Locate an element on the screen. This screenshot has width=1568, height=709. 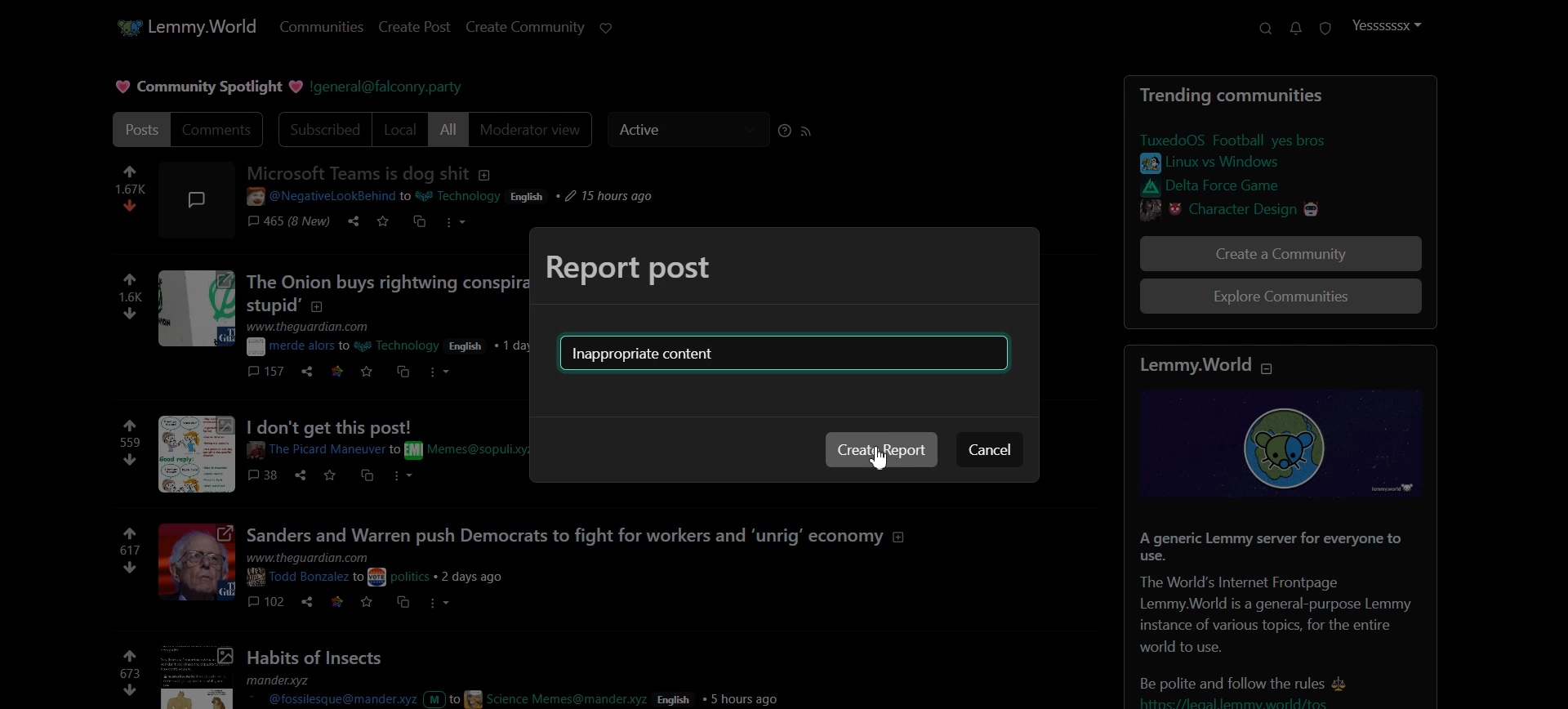
Create Report is located at coordinates (881, 449).